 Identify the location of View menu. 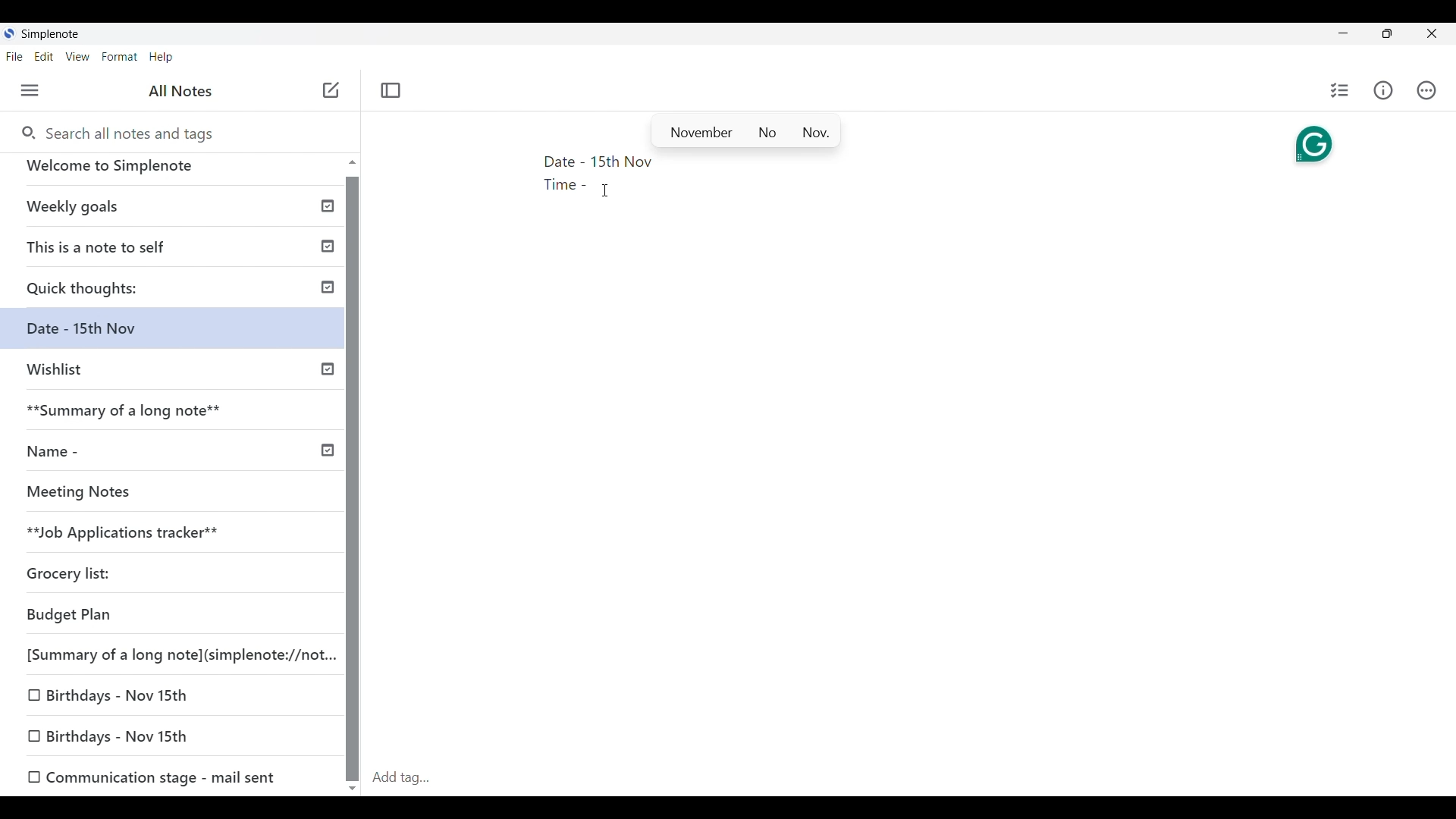
(78, 56).